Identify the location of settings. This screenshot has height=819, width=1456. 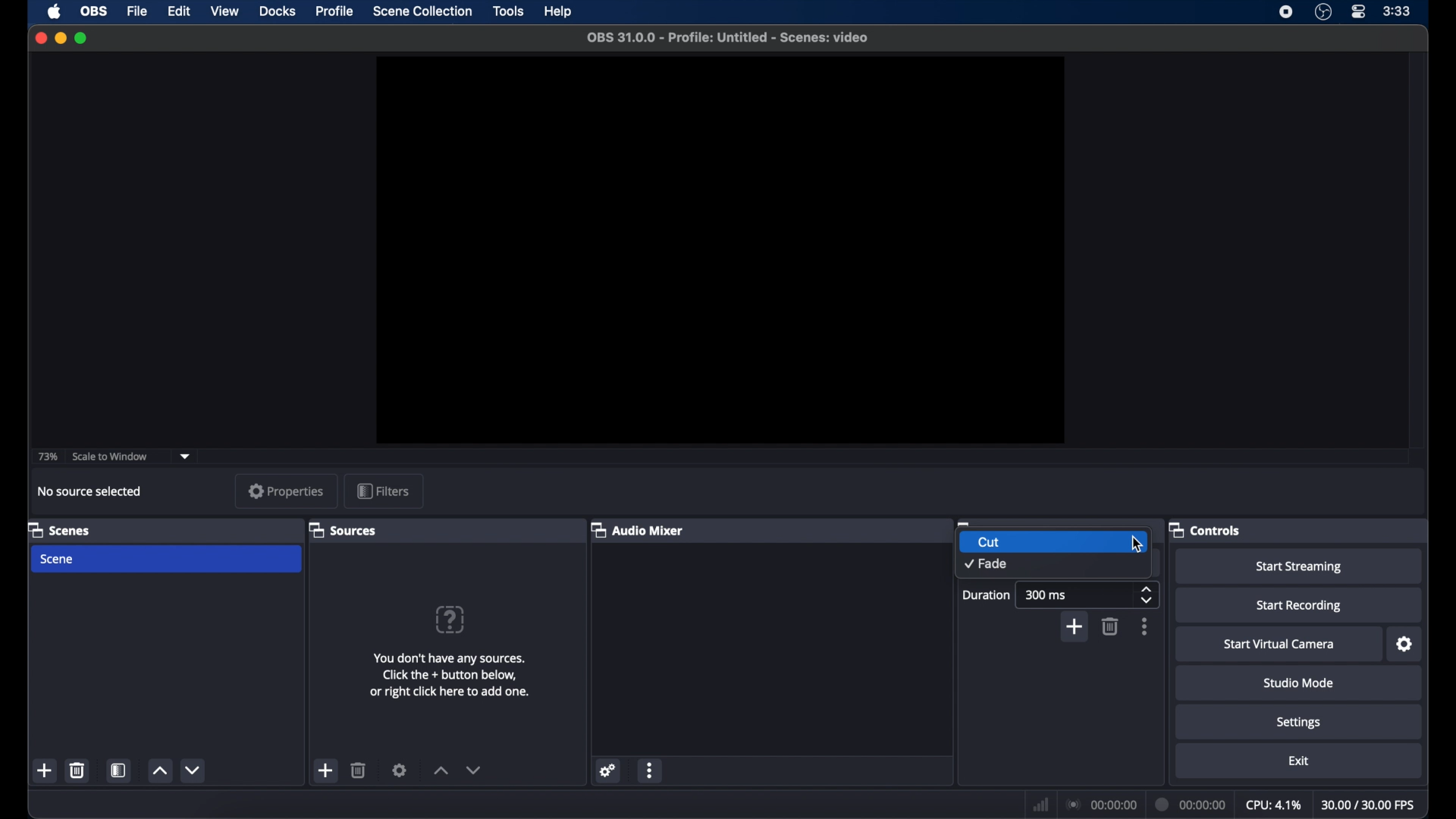
(1301, 723).